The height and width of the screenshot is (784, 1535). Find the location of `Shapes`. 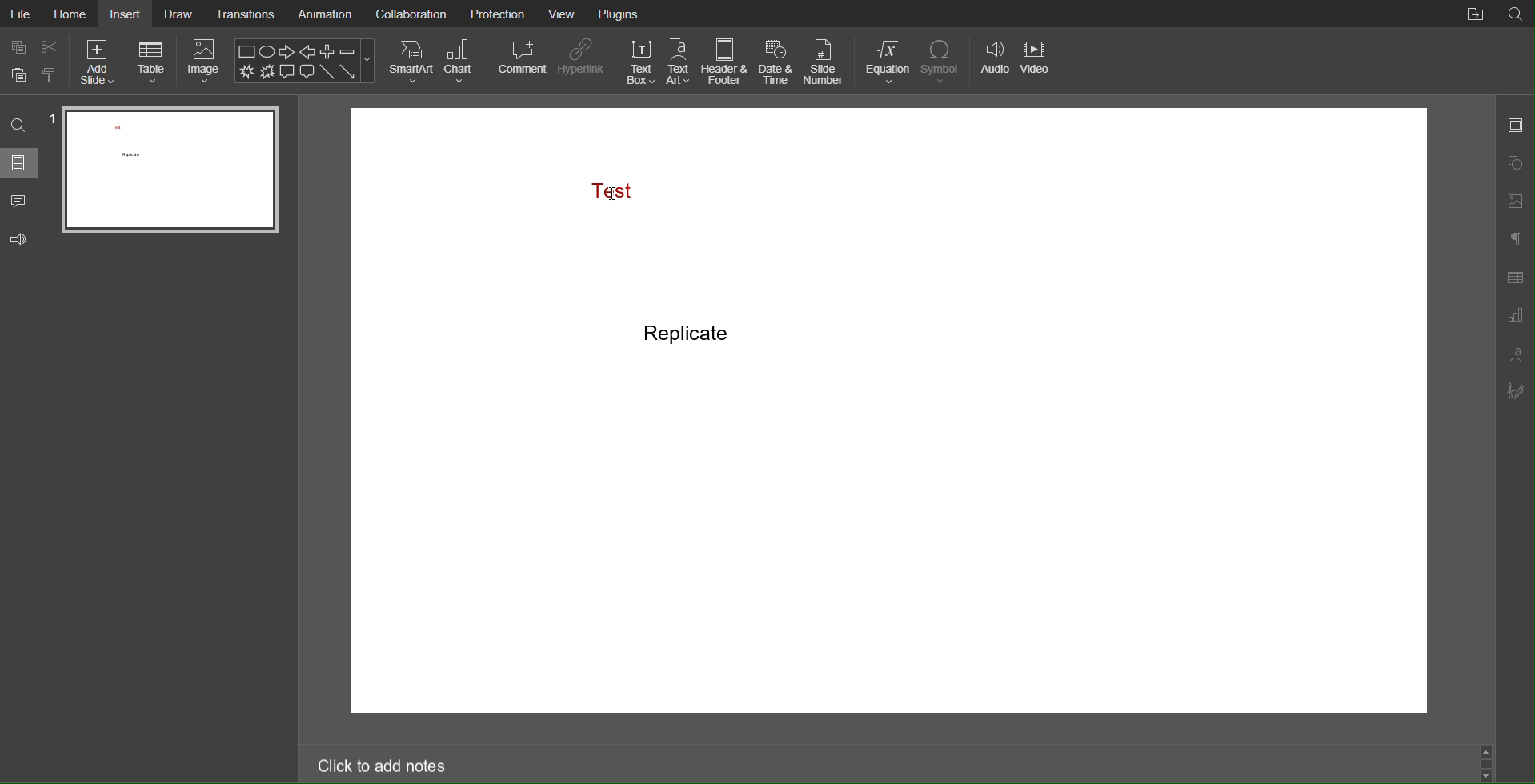

Shapes is located at coordinates (1516, 161).